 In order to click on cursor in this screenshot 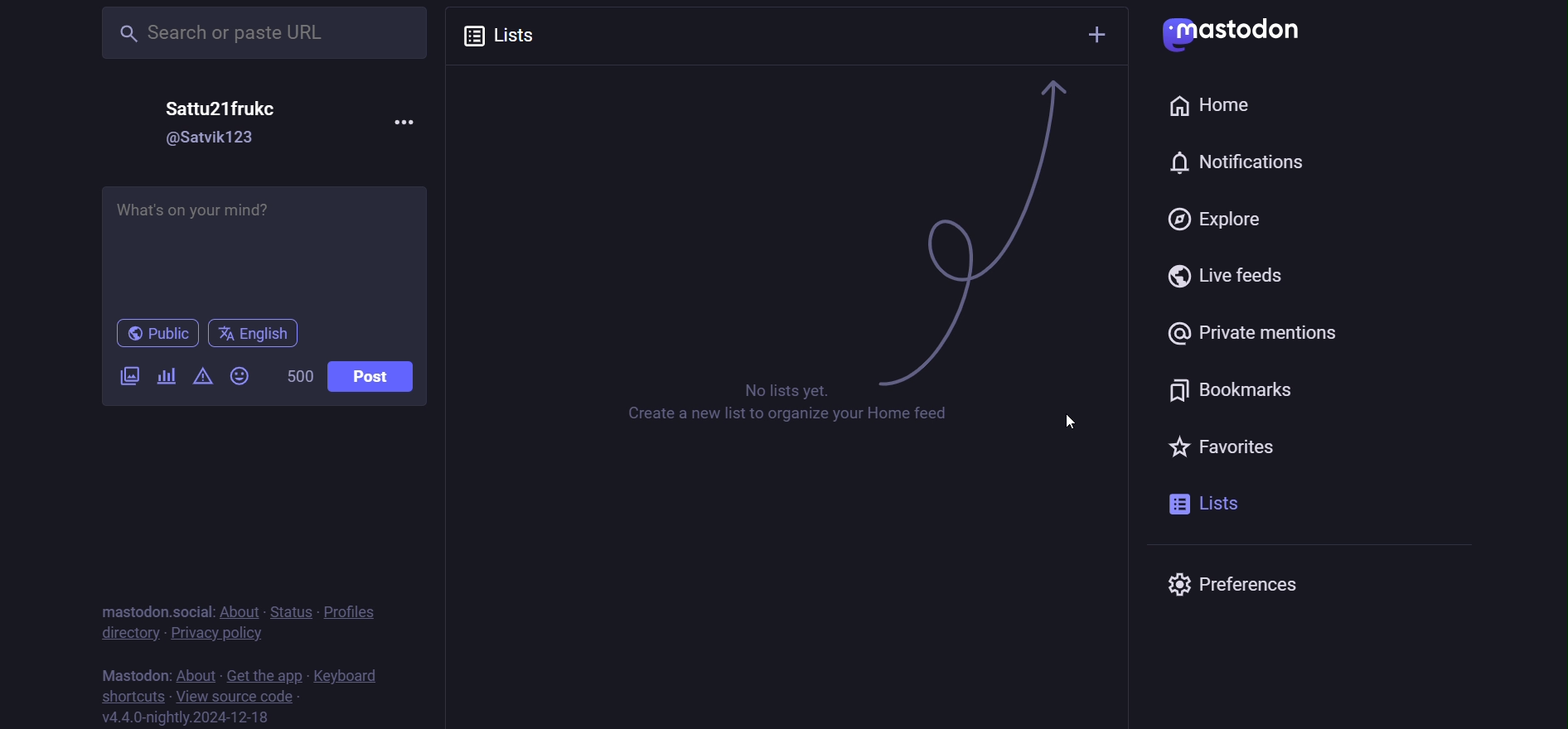, I will do `click(1066, 419)`.